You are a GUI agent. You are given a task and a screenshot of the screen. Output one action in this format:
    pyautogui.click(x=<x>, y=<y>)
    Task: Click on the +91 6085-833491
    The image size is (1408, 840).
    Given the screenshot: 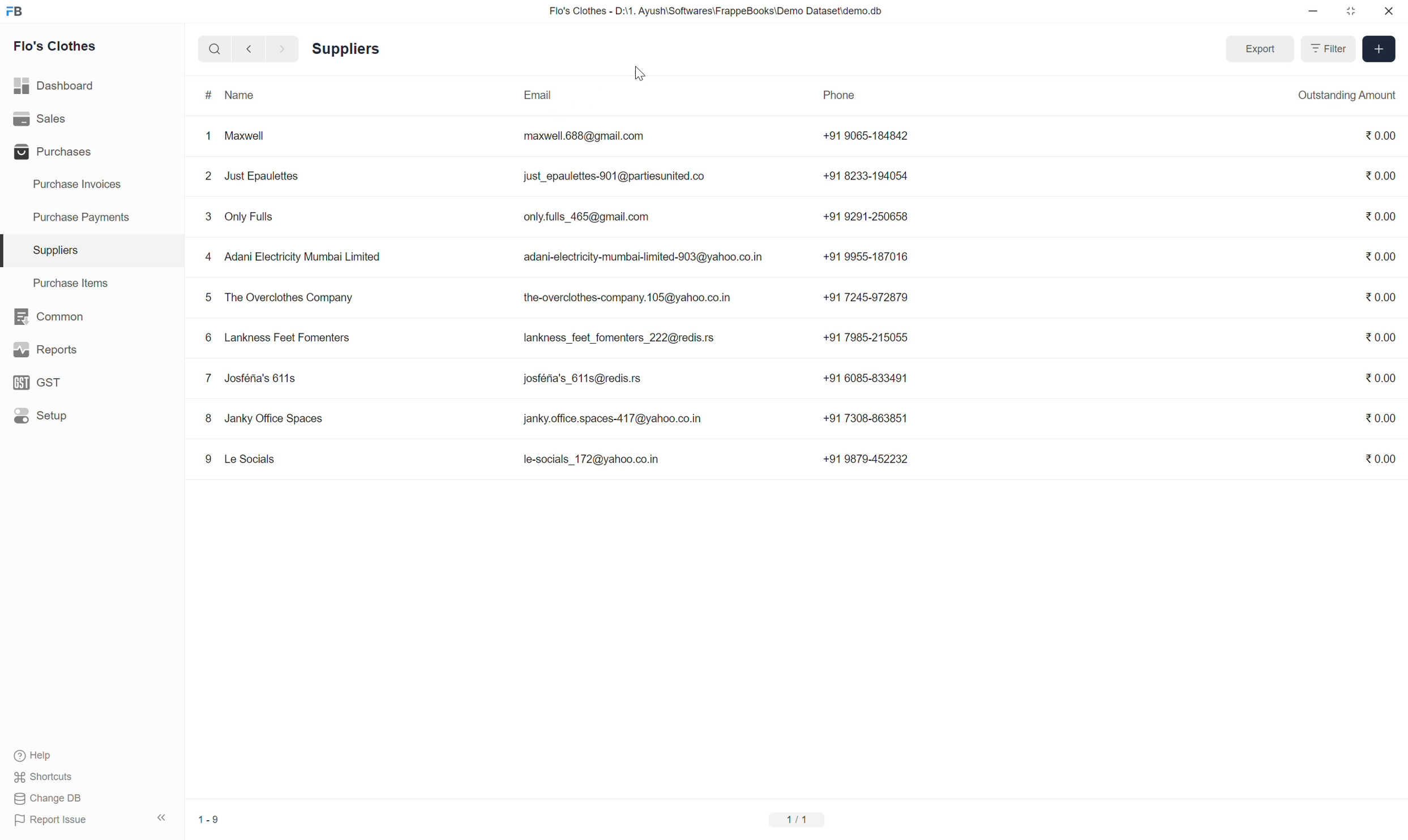 What is the action you would take?
    pyautogui.click(x=865, y=378)
    